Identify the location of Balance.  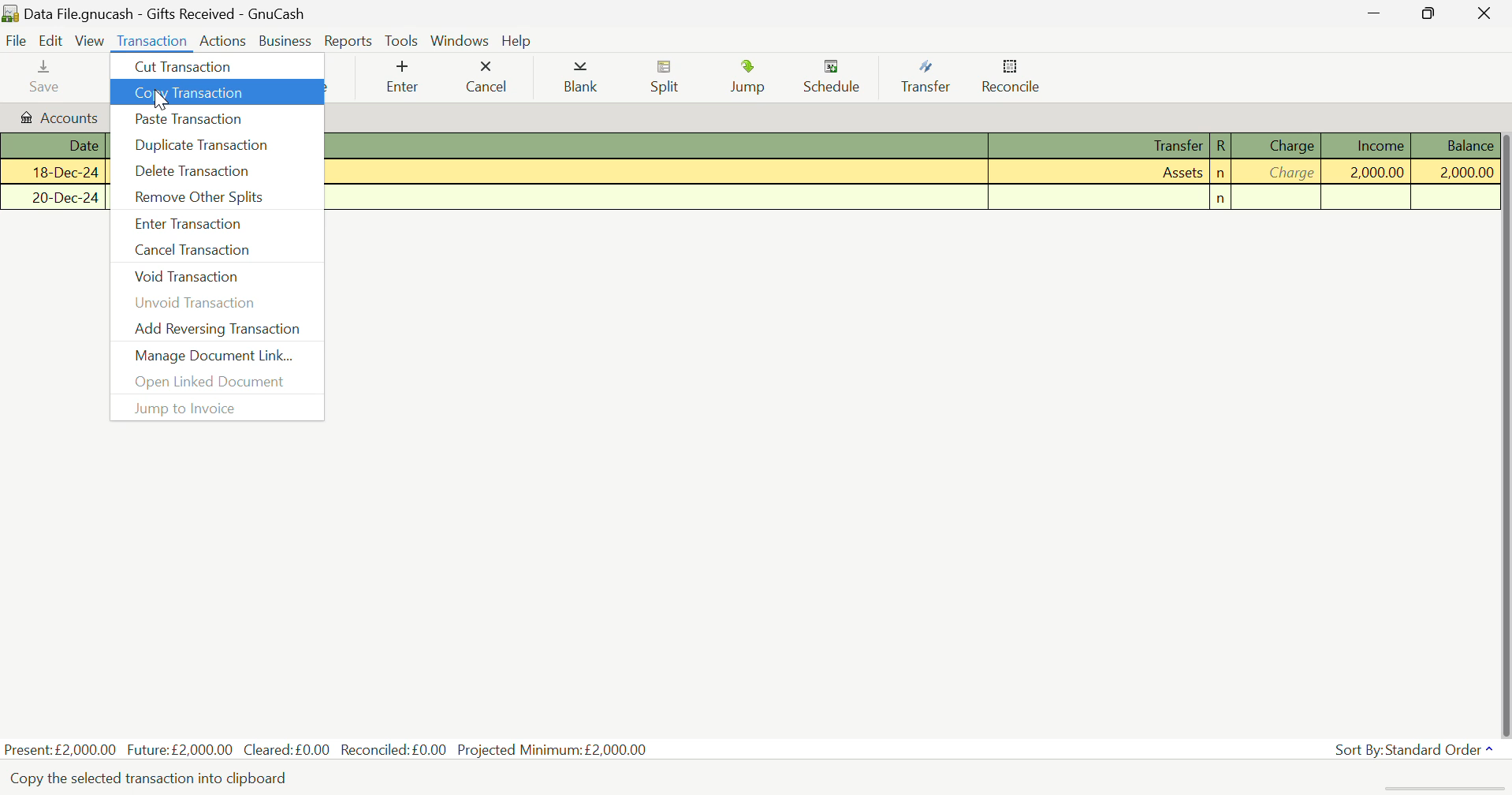
(1455, 171).